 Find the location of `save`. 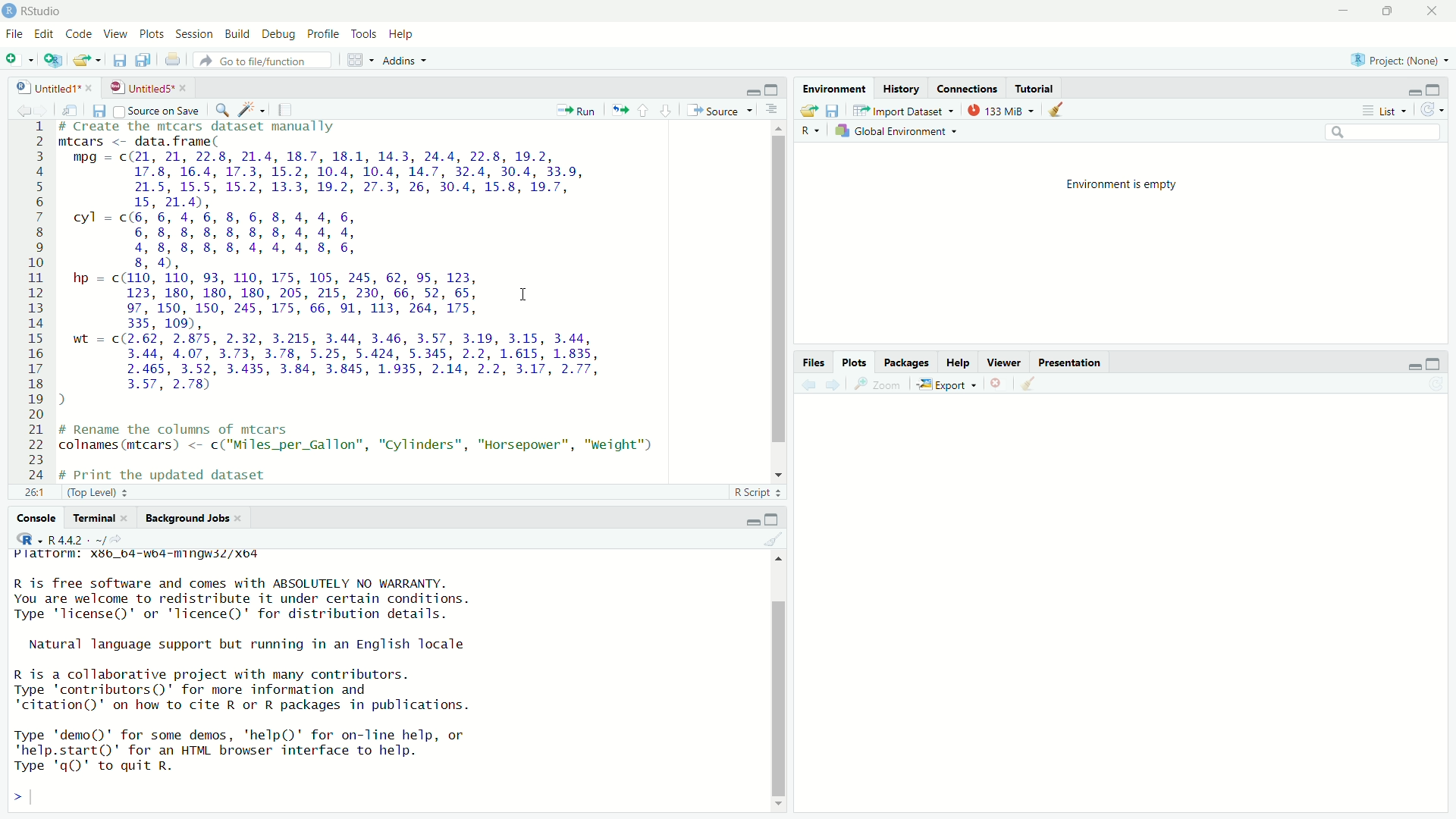

save is located at coordinates (98, 109).